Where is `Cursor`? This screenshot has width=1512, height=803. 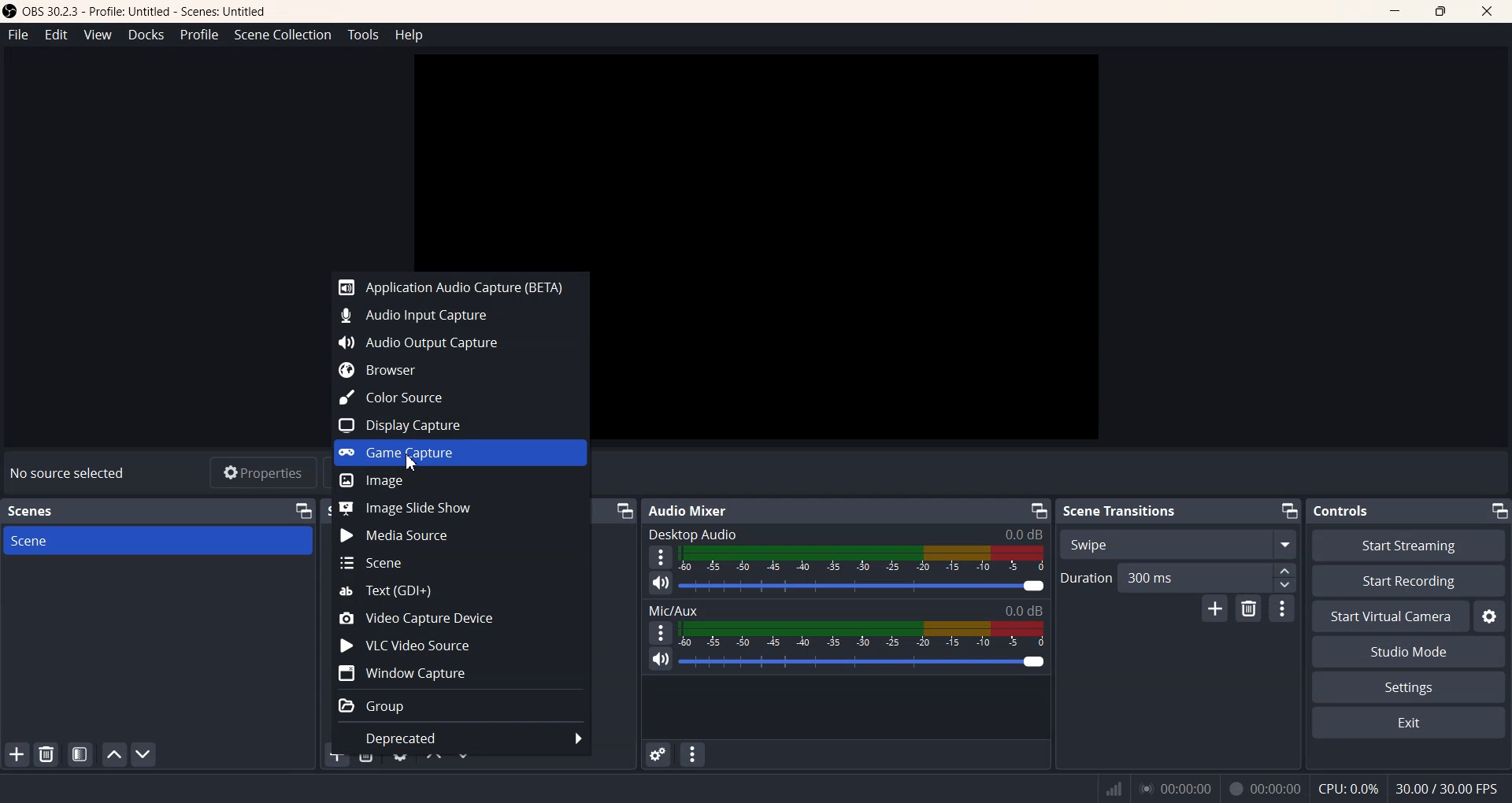
Cursor is located at coordinates (413, 460).